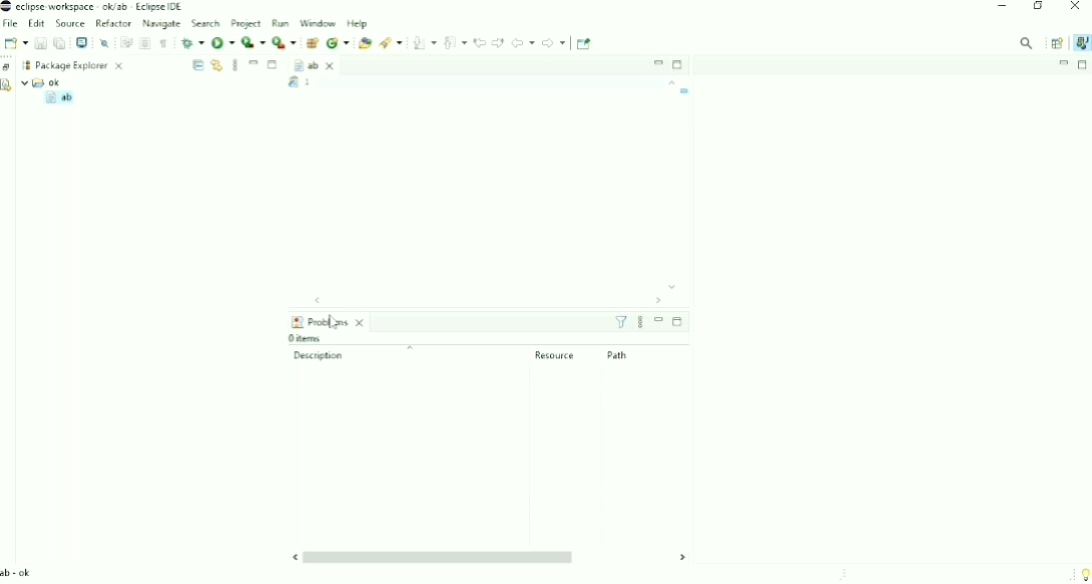 The height and width of the screenshot is (584, 1092). Describe the element at coordinates (26, 64) in the screenshot. I see `Workspace` at that location.